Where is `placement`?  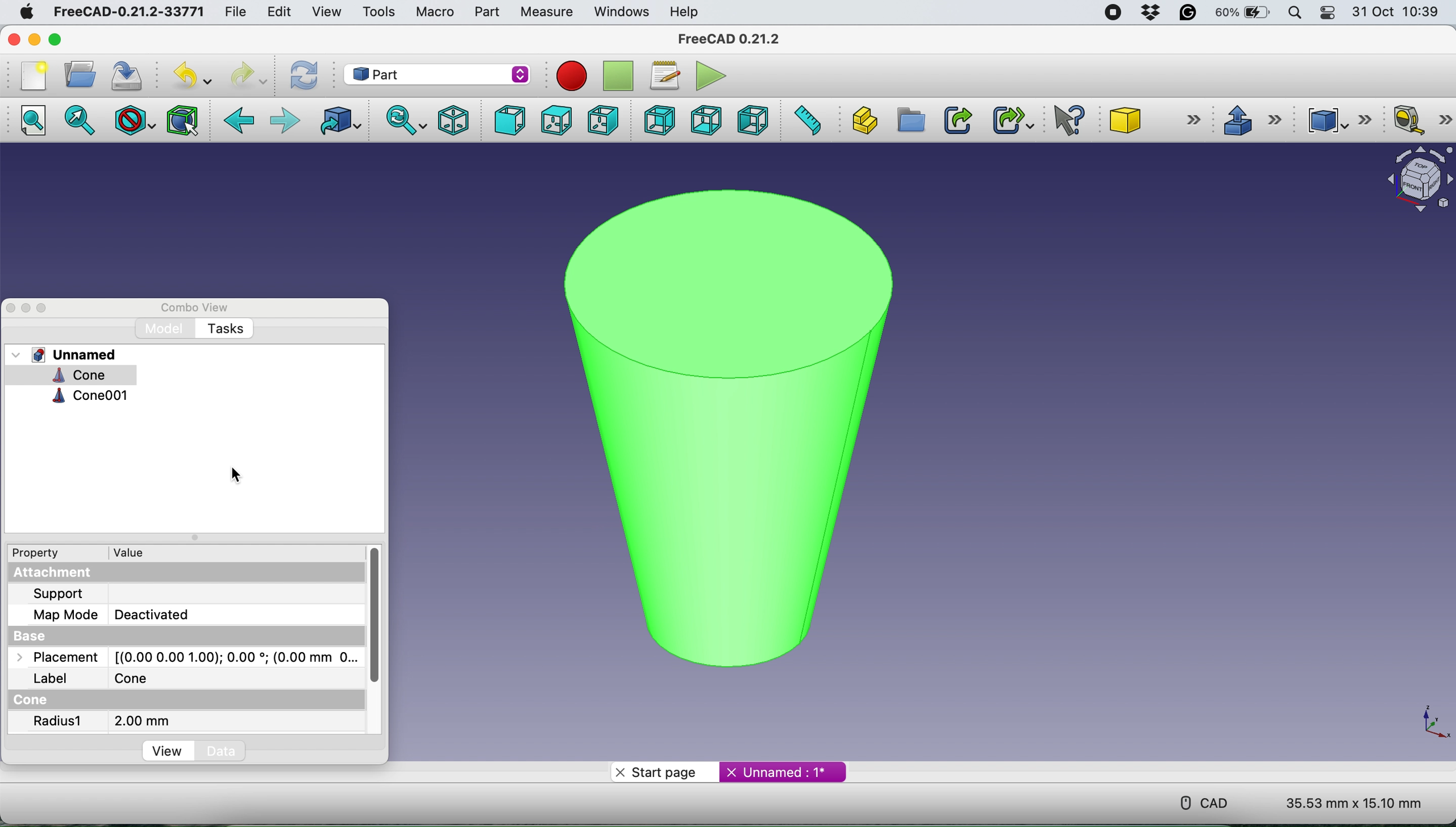 placement is located at coordinates (182, 658).